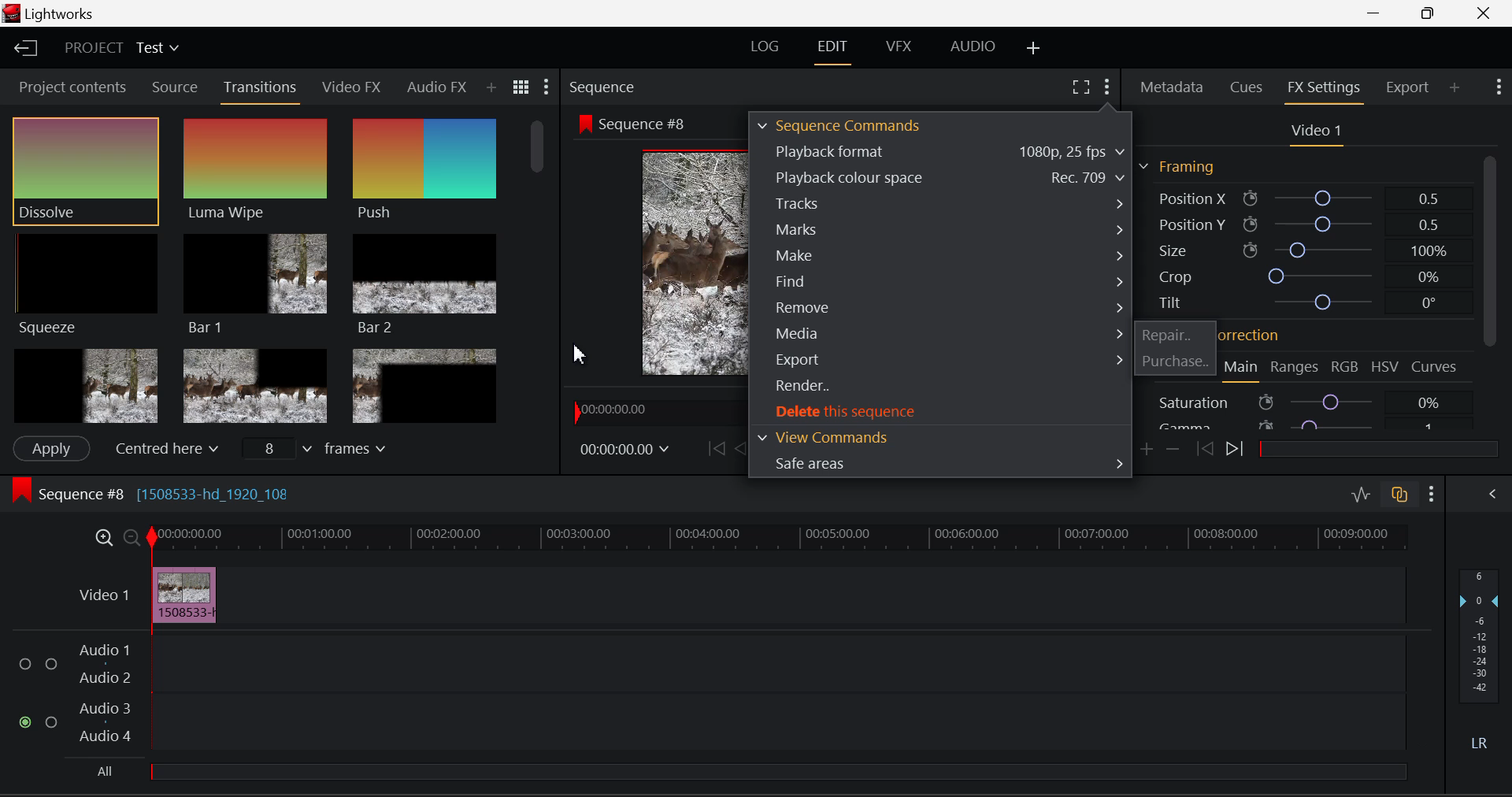 Image resolution: width=1512 pixels, height=797 pixels. I want to click on Application Assistant Tip, so click(1315, 297).